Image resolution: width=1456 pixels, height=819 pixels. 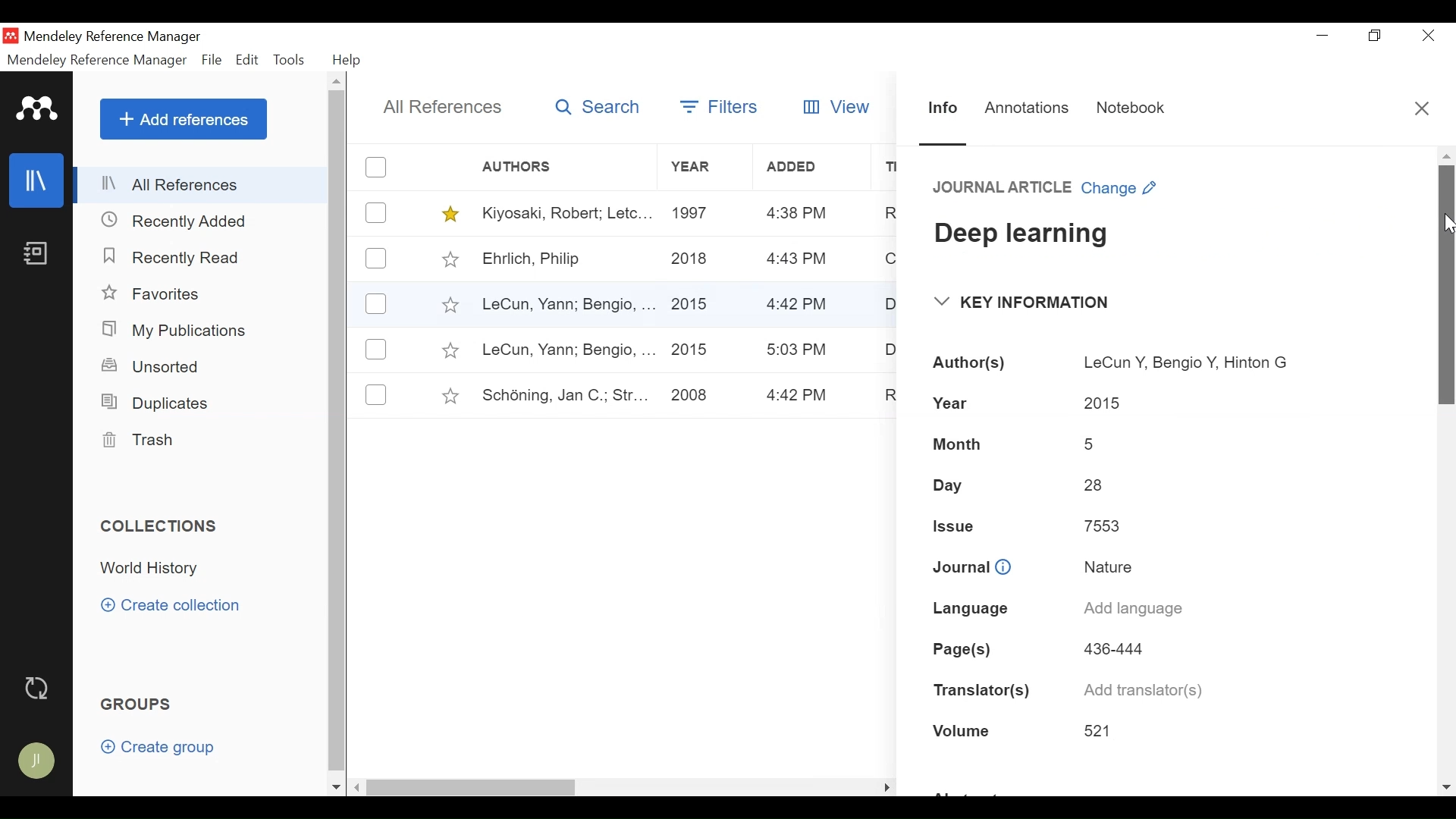 What do you see at coordinates (1147, 690) in the screenshot?
I see `Add Translator(s)` at bounding box center [1147, 690].